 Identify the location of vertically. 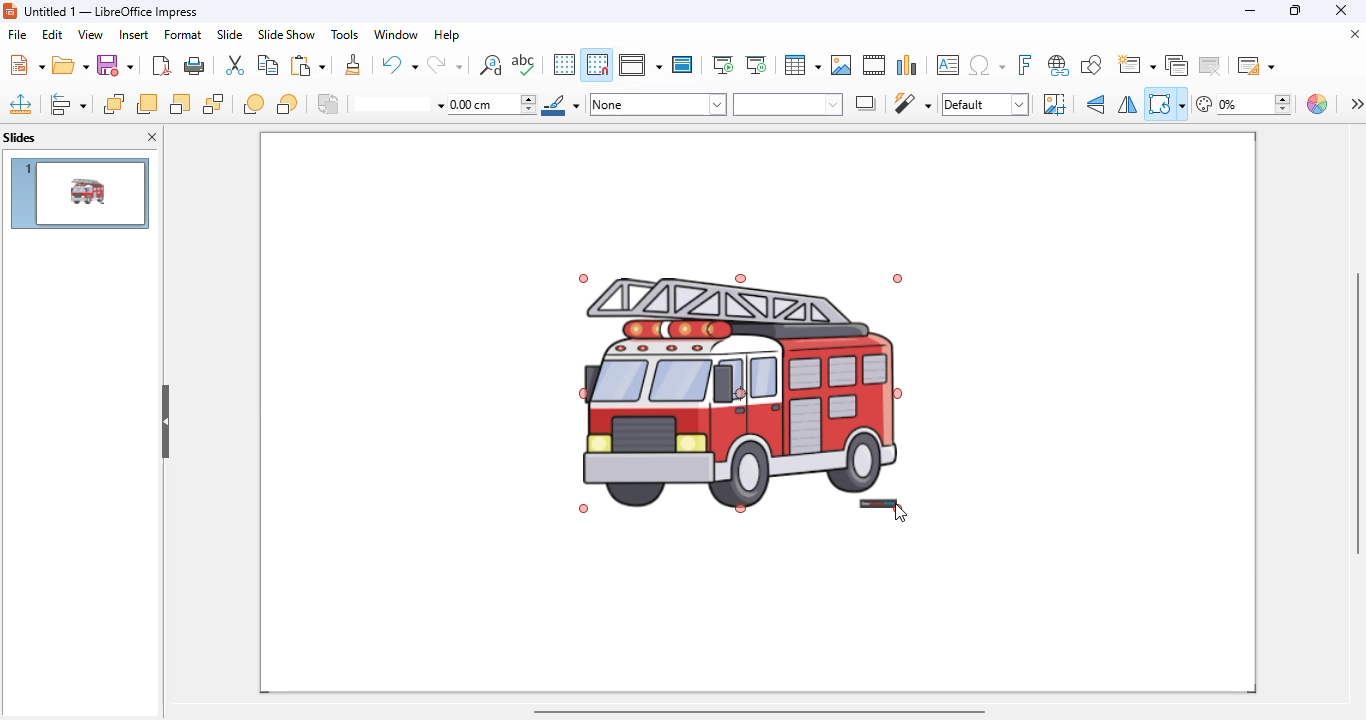
(1097, 104).